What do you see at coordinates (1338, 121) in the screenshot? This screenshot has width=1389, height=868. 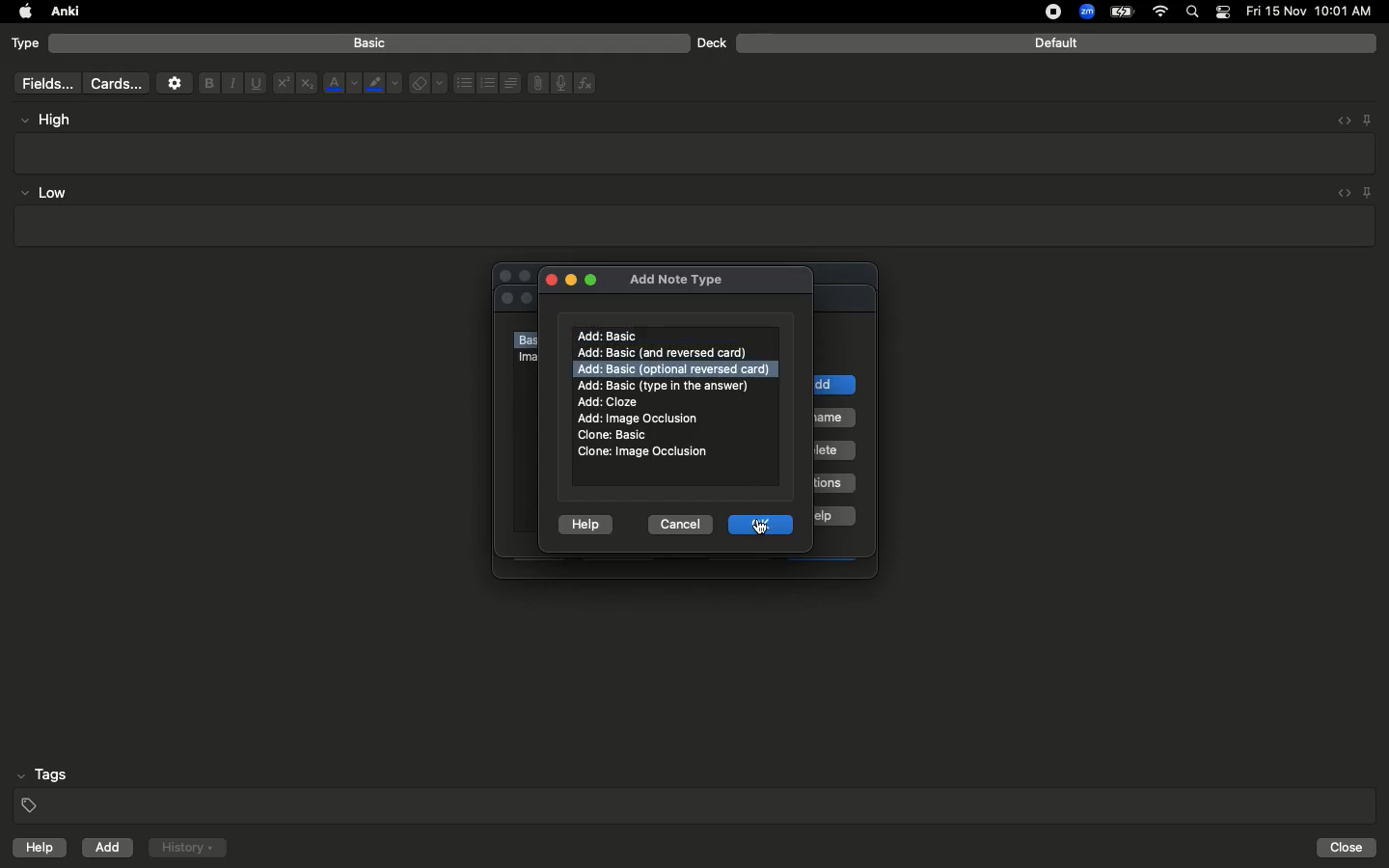 I see `Embed` at bounding box center [1338, 121].